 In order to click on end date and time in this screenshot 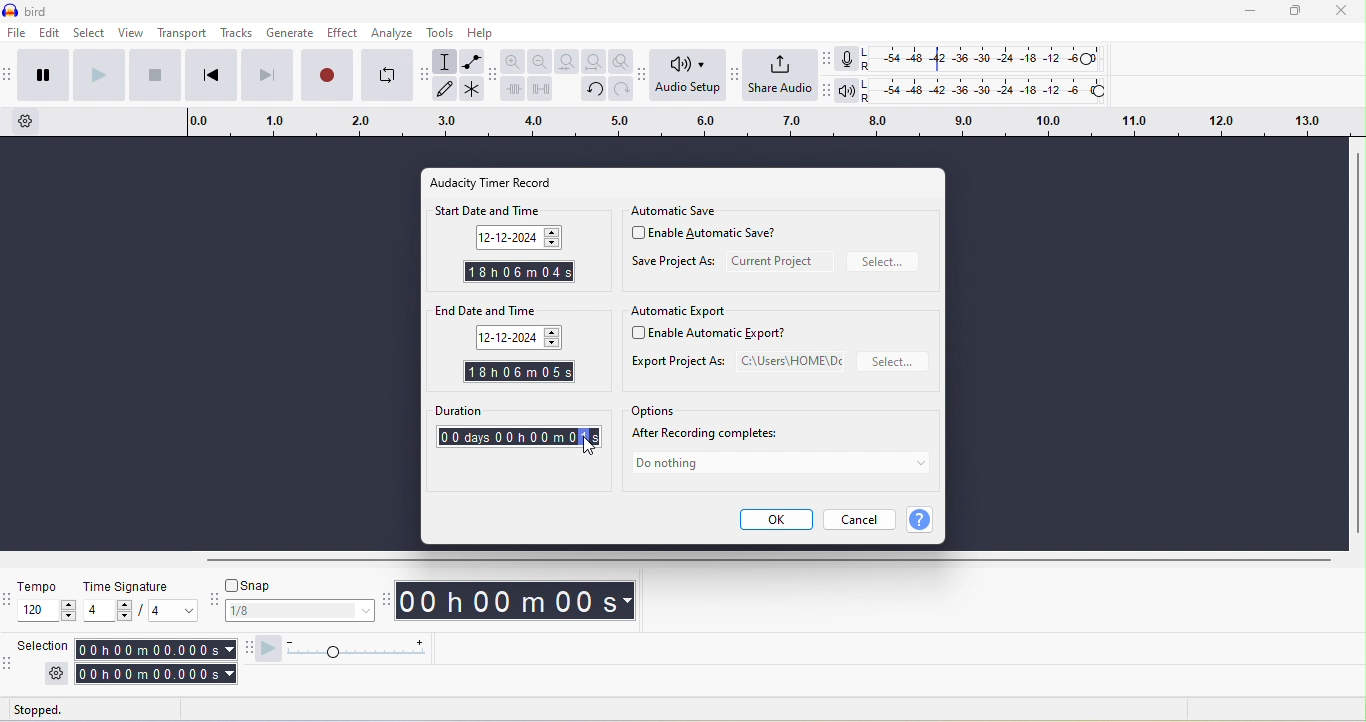, I will do `click(512, 311)`.